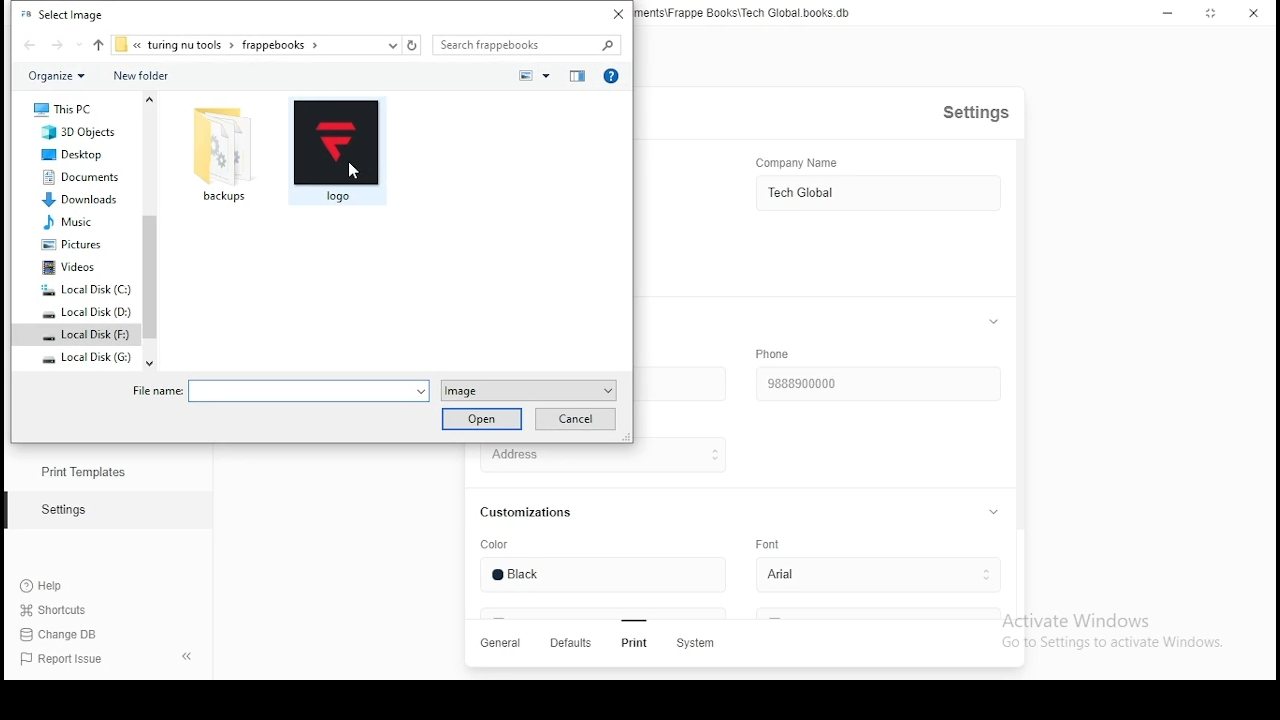  What do you see at coordinates (144, 76) in the screenshot?
I see `New Folder ` at bounding box center [144, 76].